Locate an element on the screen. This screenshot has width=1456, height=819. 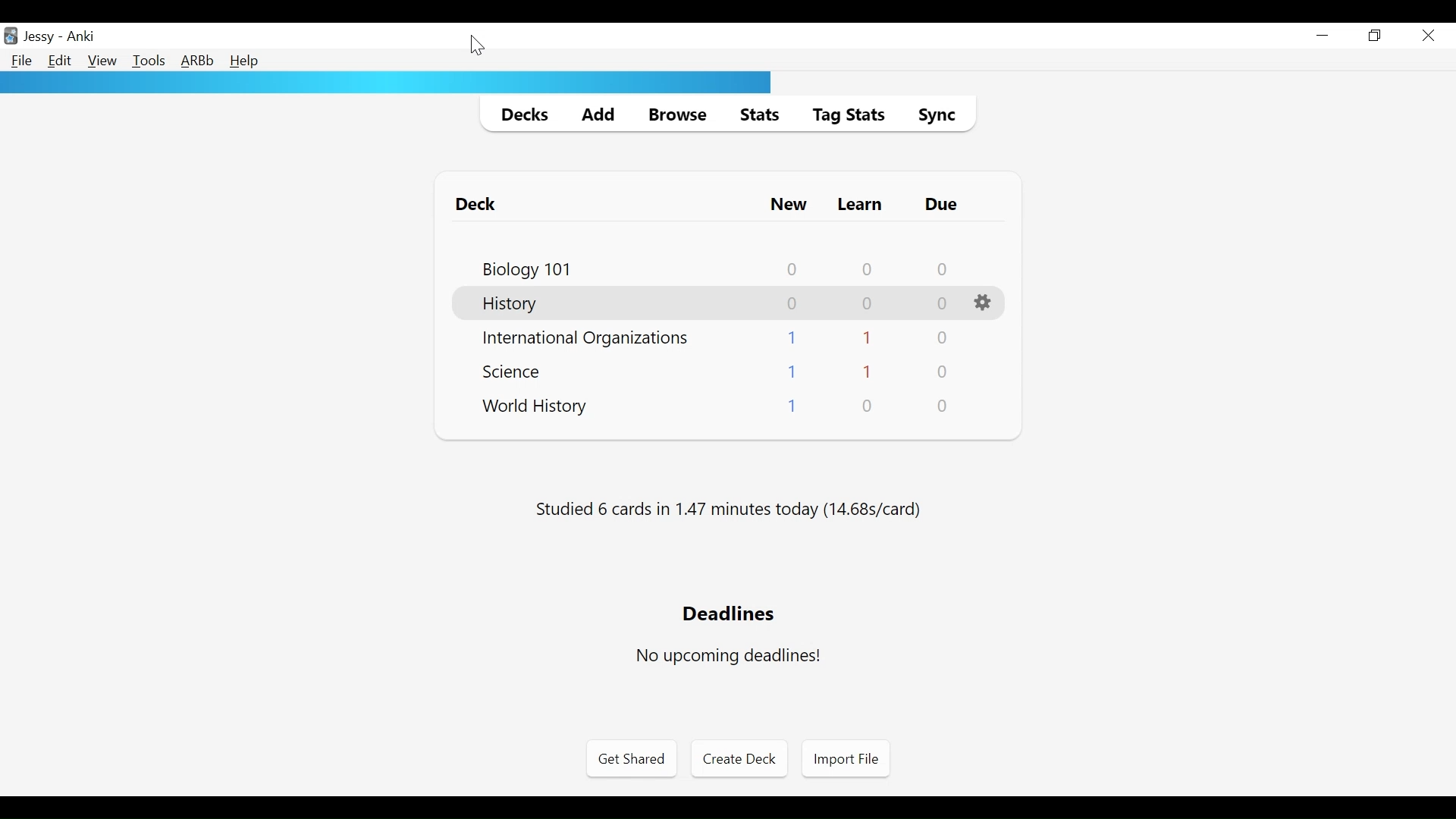
Learn Card Count is located at coordinates (870, 406).